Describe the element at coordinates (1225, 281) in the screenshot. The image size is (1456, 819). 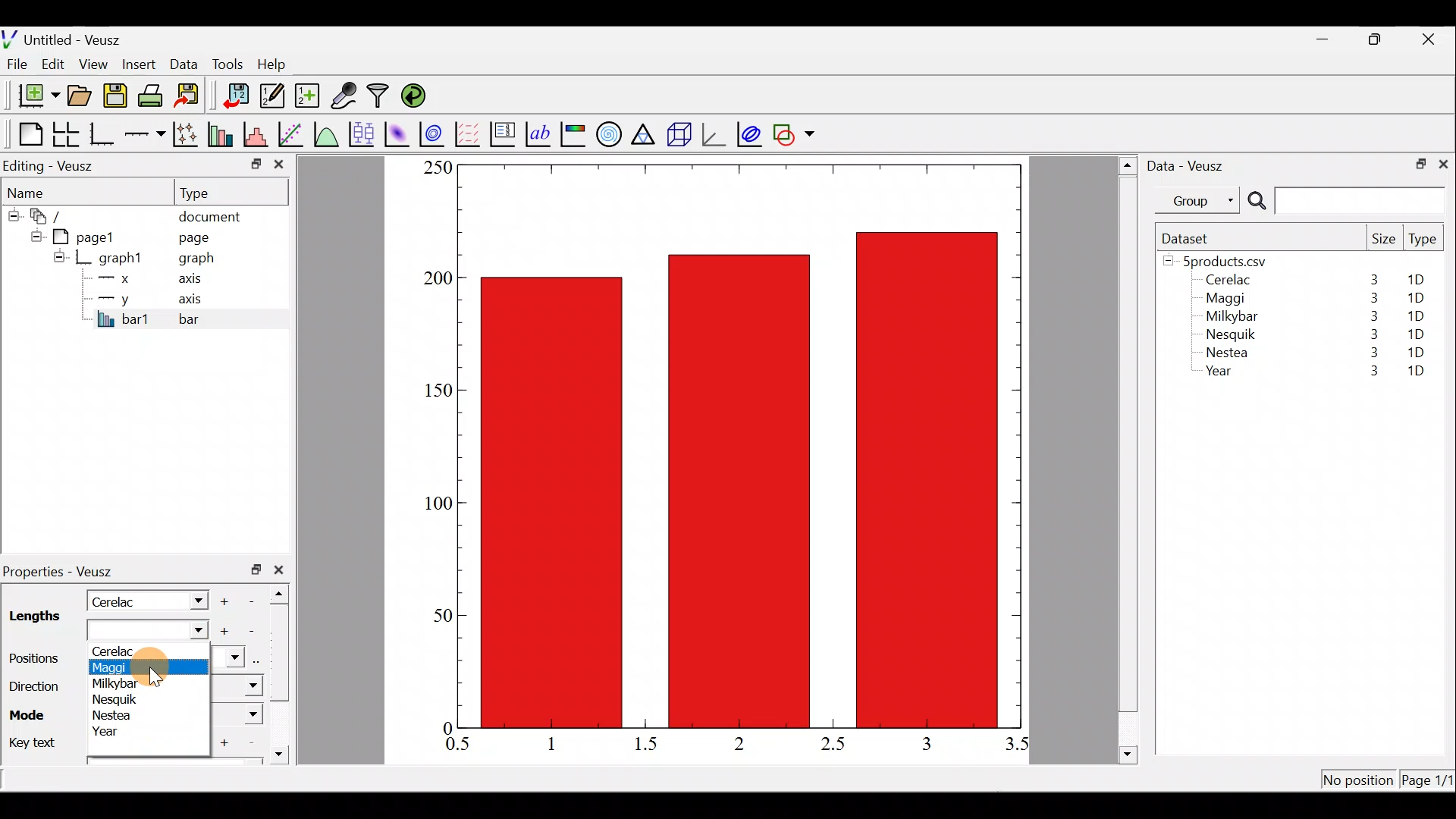
I see `Cerelac` at that location.